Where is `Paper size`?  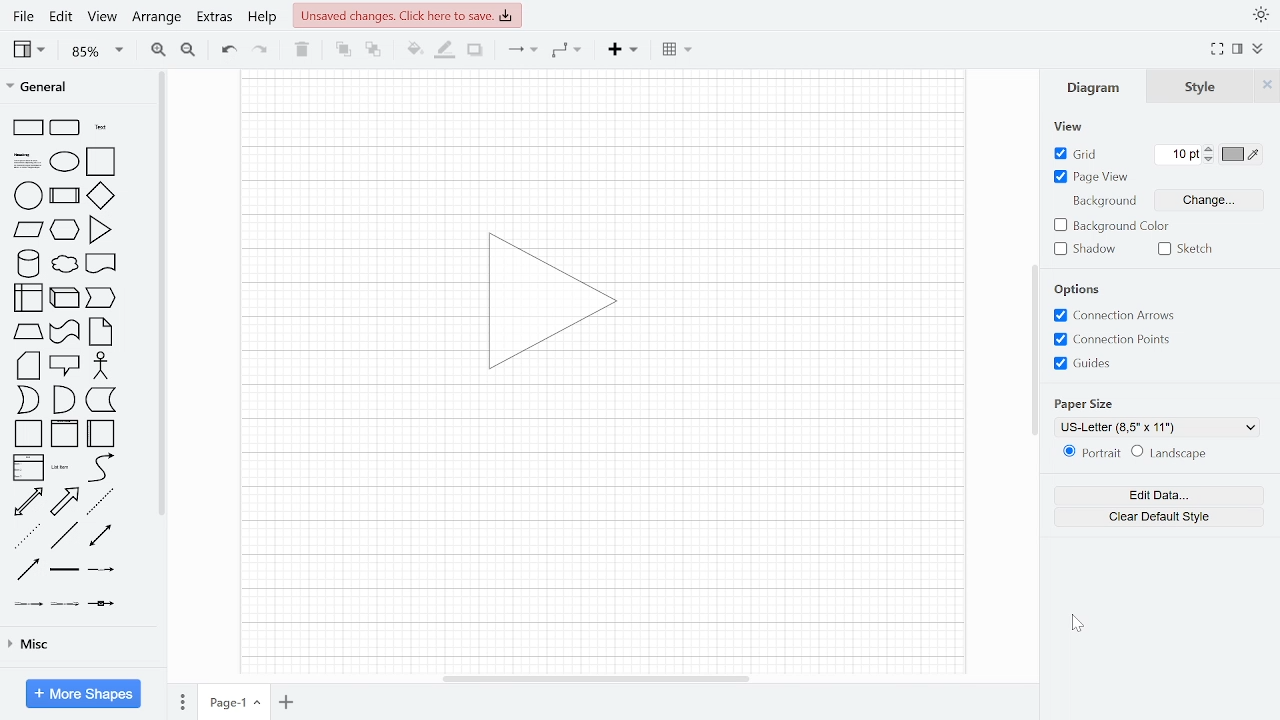 Paper size is located at coordinates (1083, 404).